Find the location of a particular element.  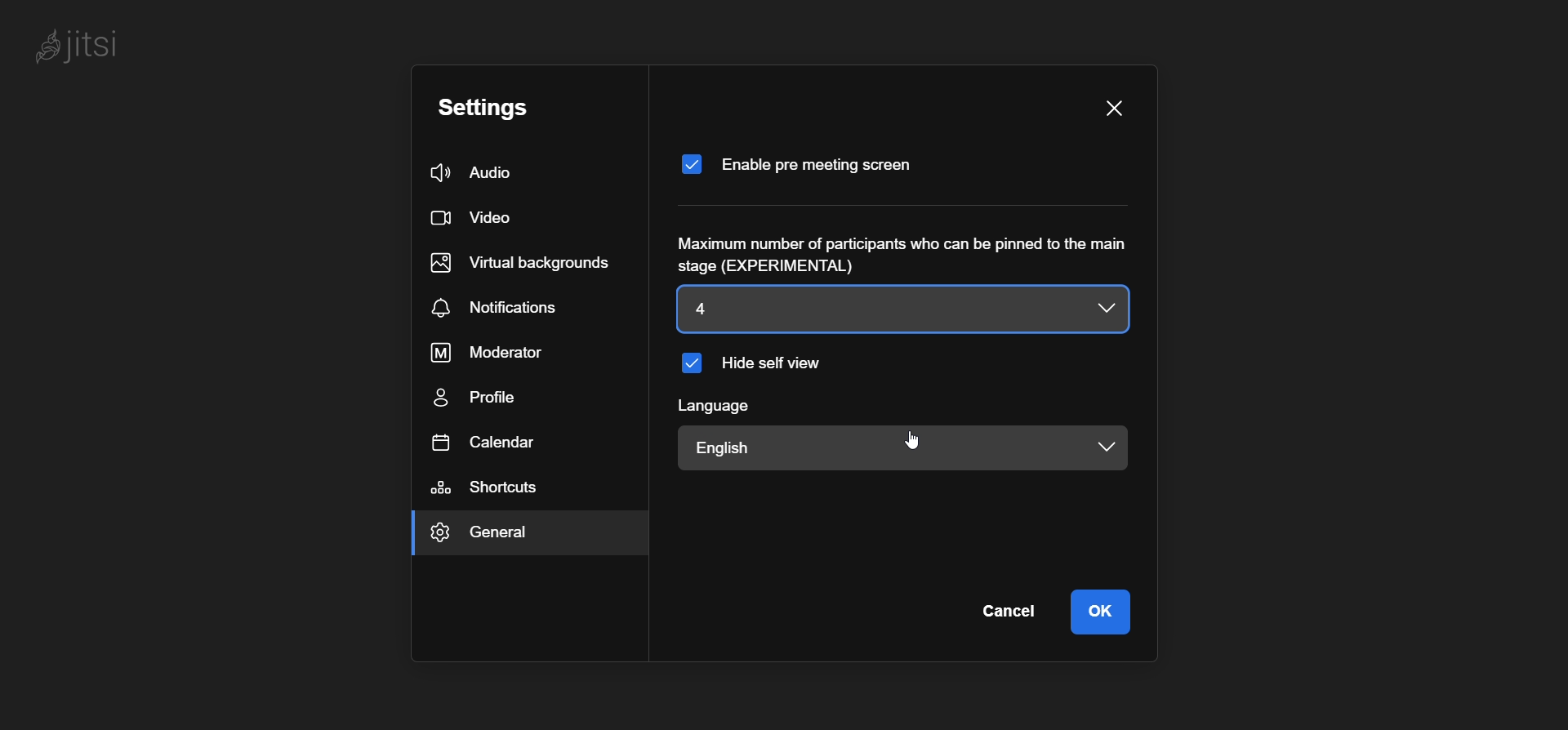

number of participants dropdown is located at coordinates (1107, 310).